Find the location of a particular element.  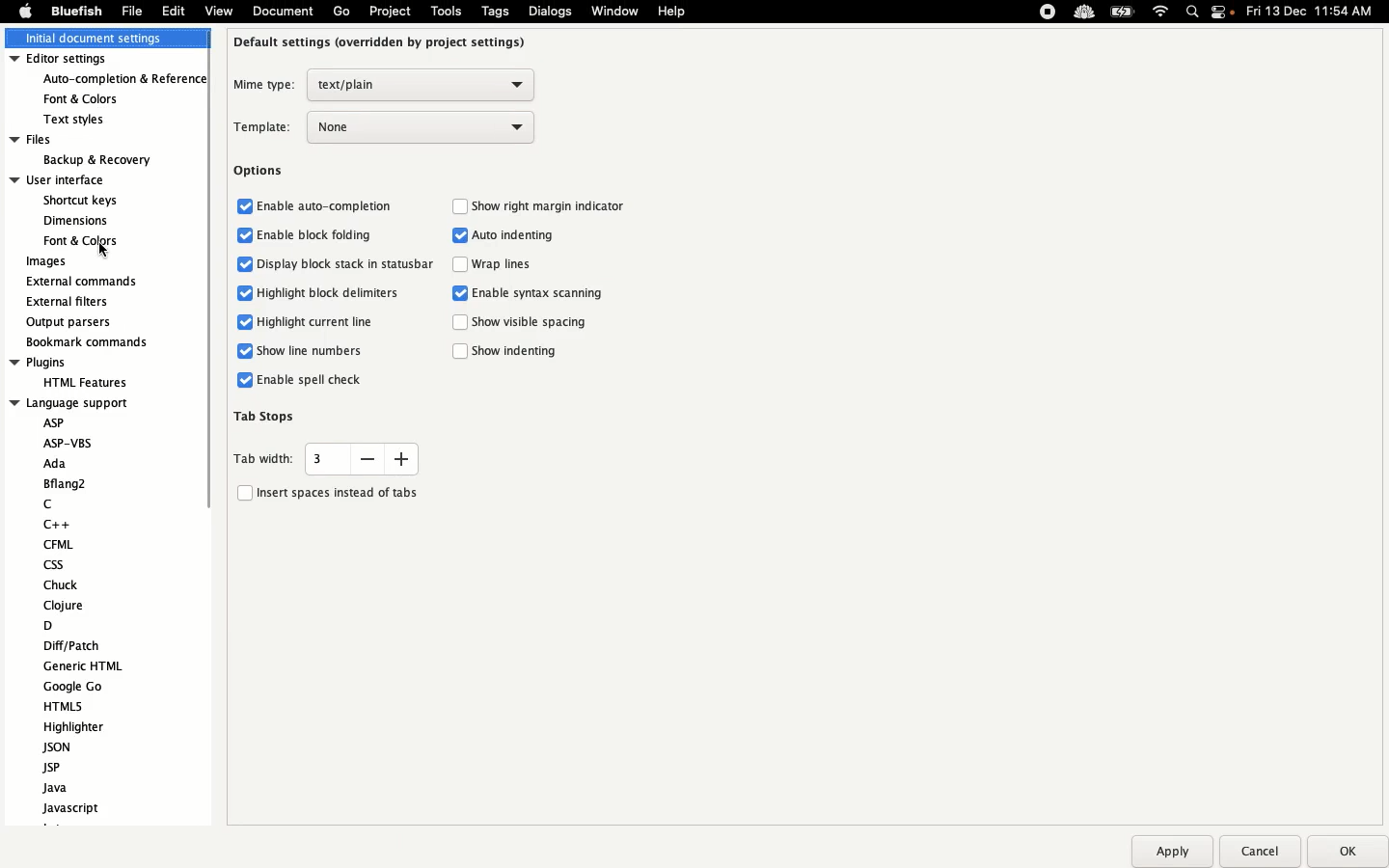

Tools is located at coordinates (447, 11).